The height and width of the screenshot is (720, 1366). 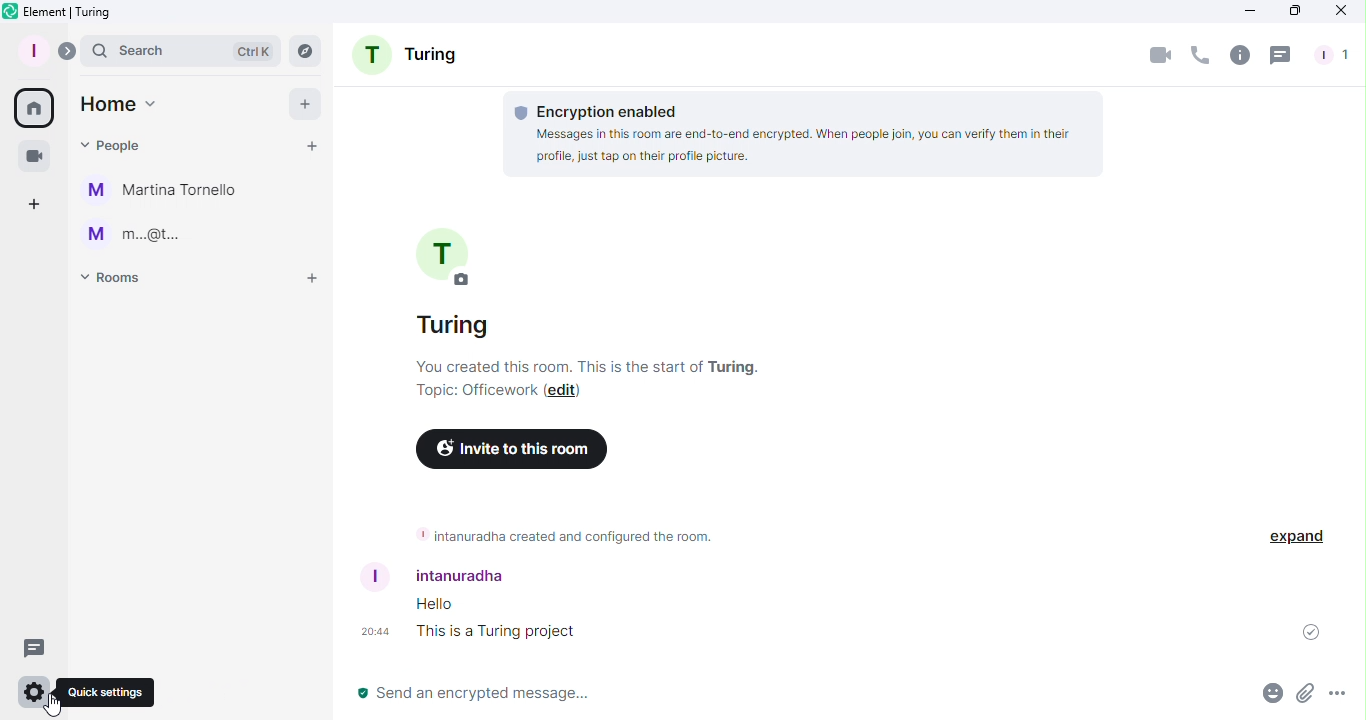 I want to click on Home, so click(x=120, y=104).